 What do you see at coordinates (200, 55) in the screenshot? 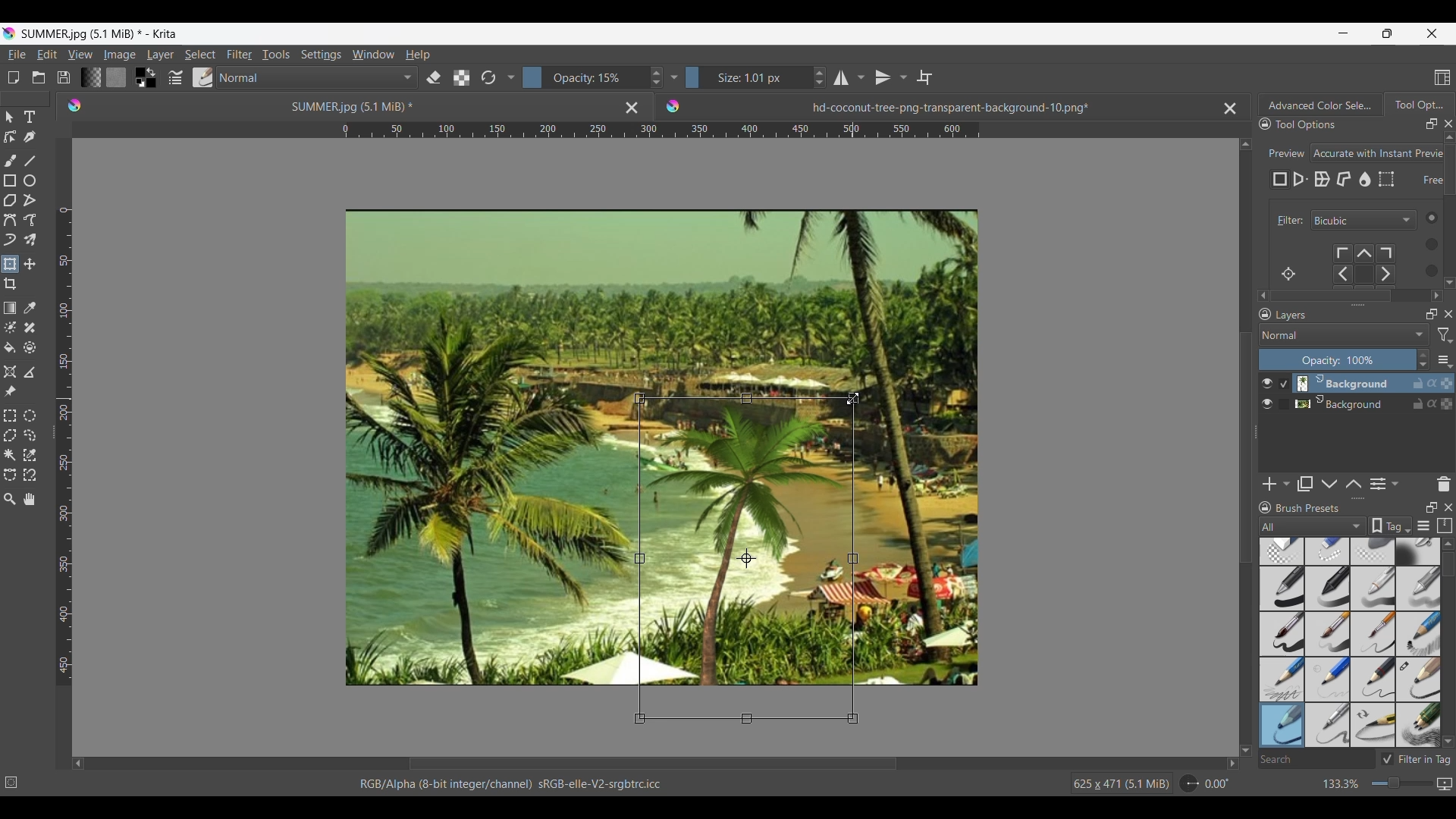
I see `Select` at bounding box center [200, 55].